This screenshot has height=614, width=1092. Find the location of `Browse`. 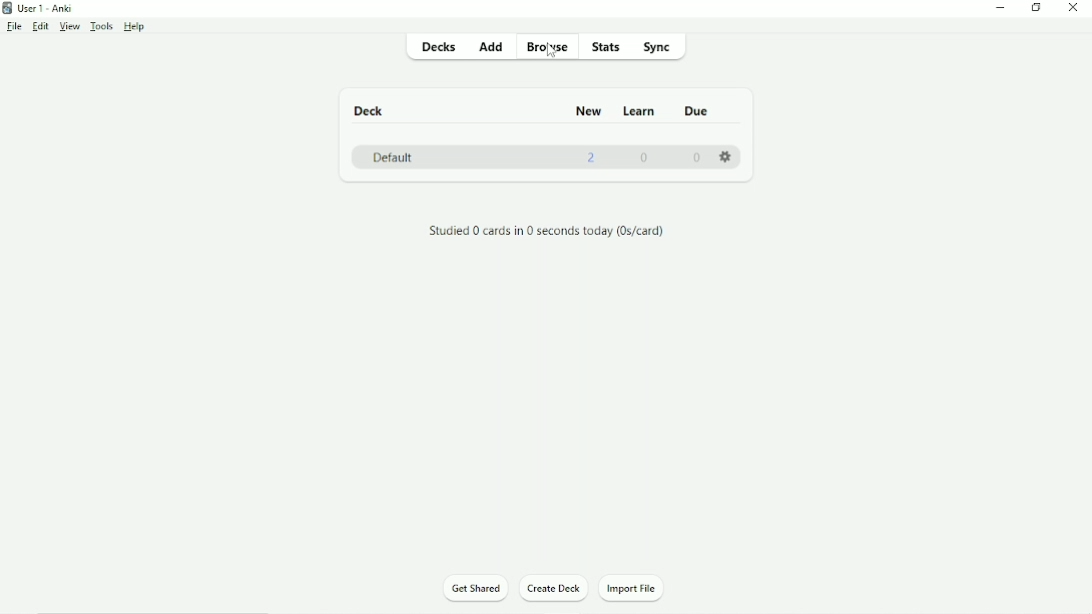

Browse is located at coordinates (549, 48).